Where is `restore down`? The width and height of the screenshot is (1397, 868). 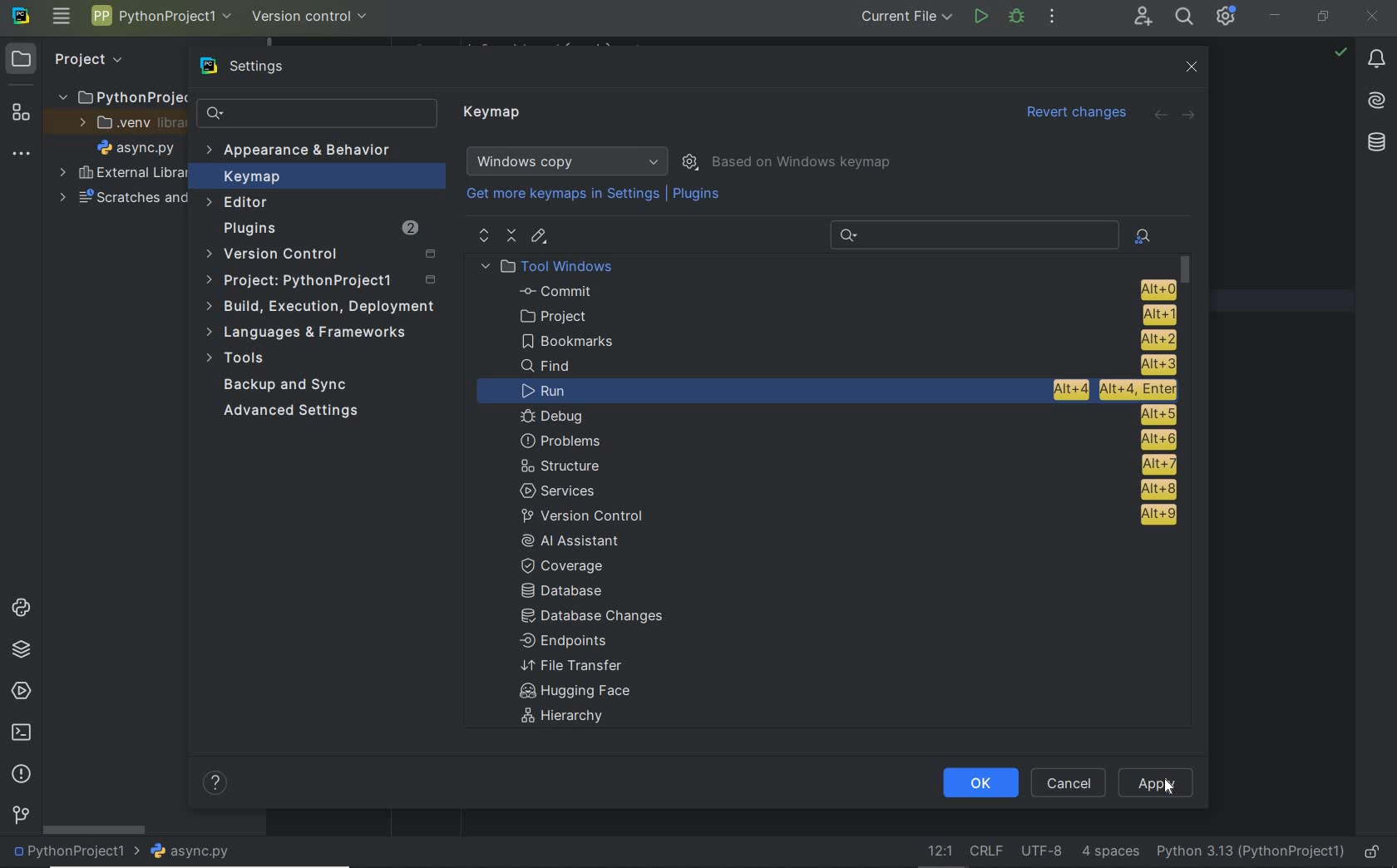 restore down is located at coordinates (1324, 17).